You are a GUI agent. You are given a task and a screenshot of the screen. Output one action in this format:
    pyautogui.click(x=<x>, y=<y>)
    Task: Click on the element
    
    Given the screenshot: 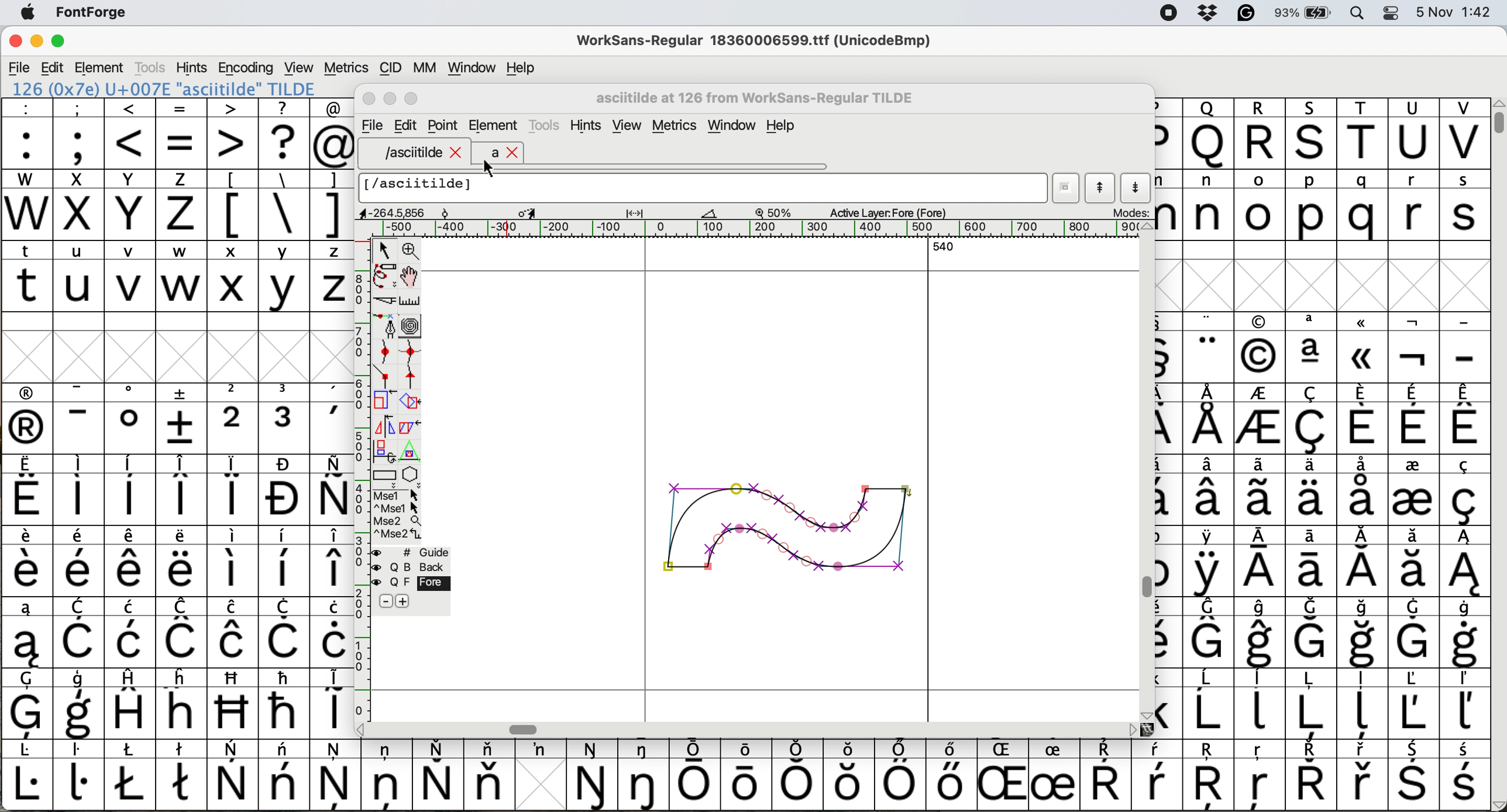 What is the action you would take?
    pyautogui.click(x=101, y=67)
    